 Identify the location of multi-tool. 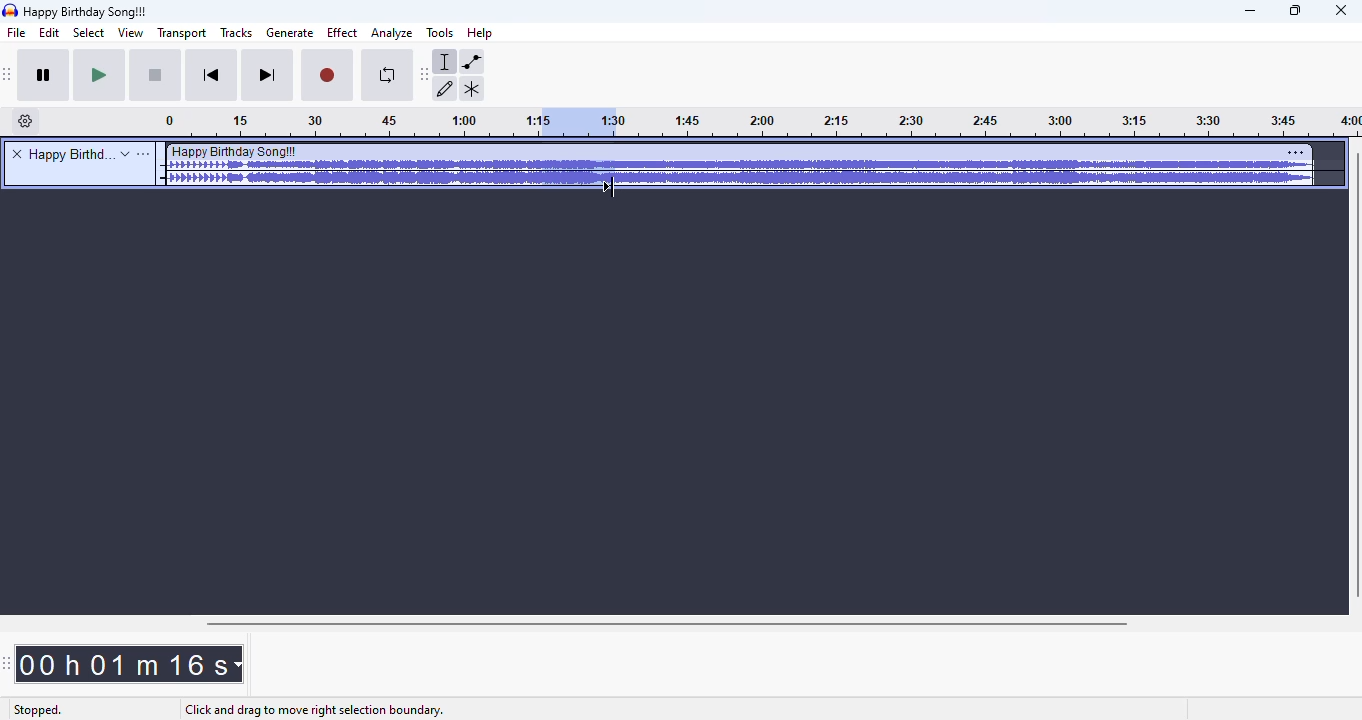
(472, 89).